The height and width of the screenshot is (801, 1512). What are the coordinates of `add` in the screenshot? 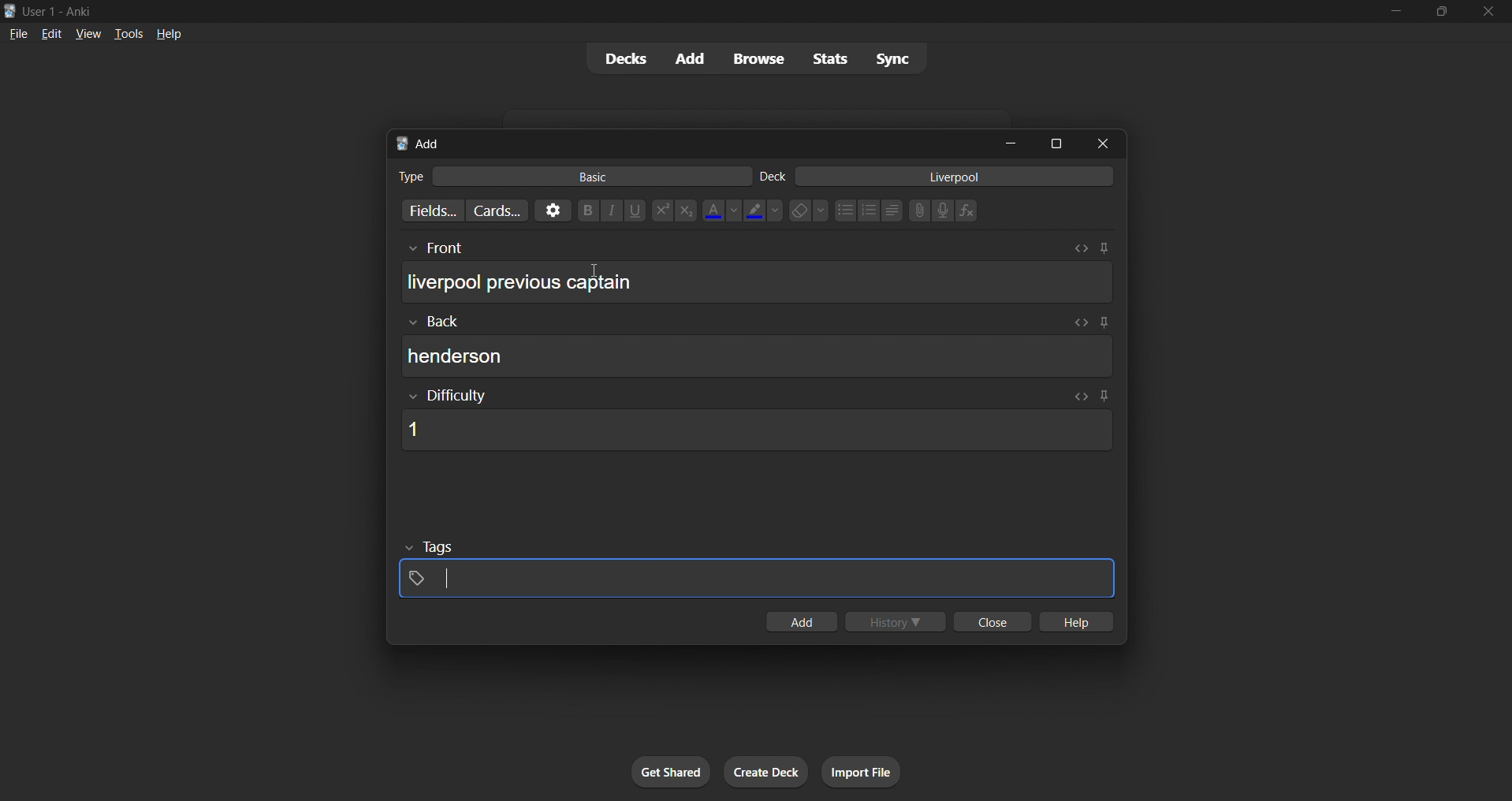 It's located at (687, 58).